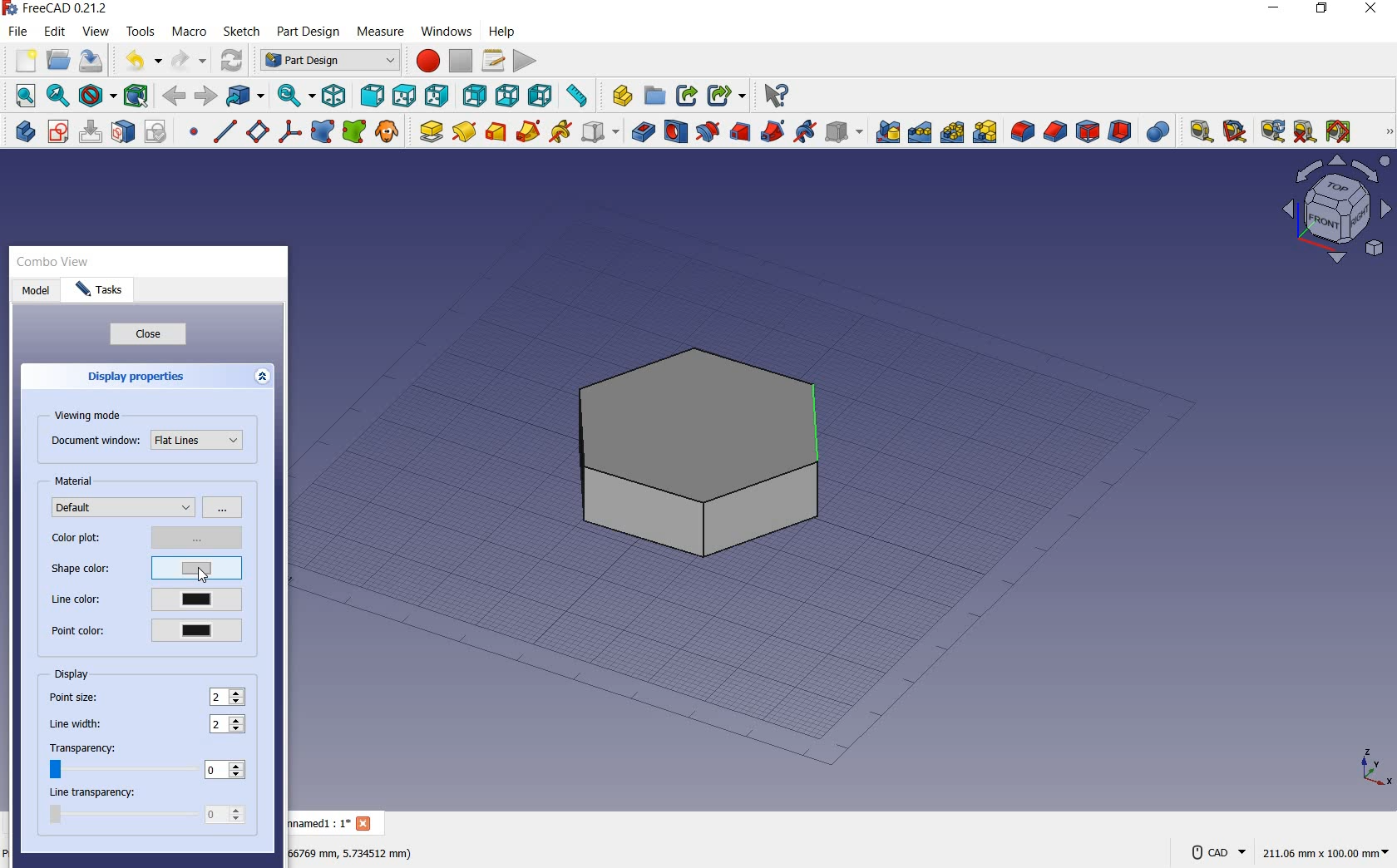 This screenshot has height=868, width=1397. Describe the element at coordinates (475, 96) in the screenshot. I see `rear` at that location.